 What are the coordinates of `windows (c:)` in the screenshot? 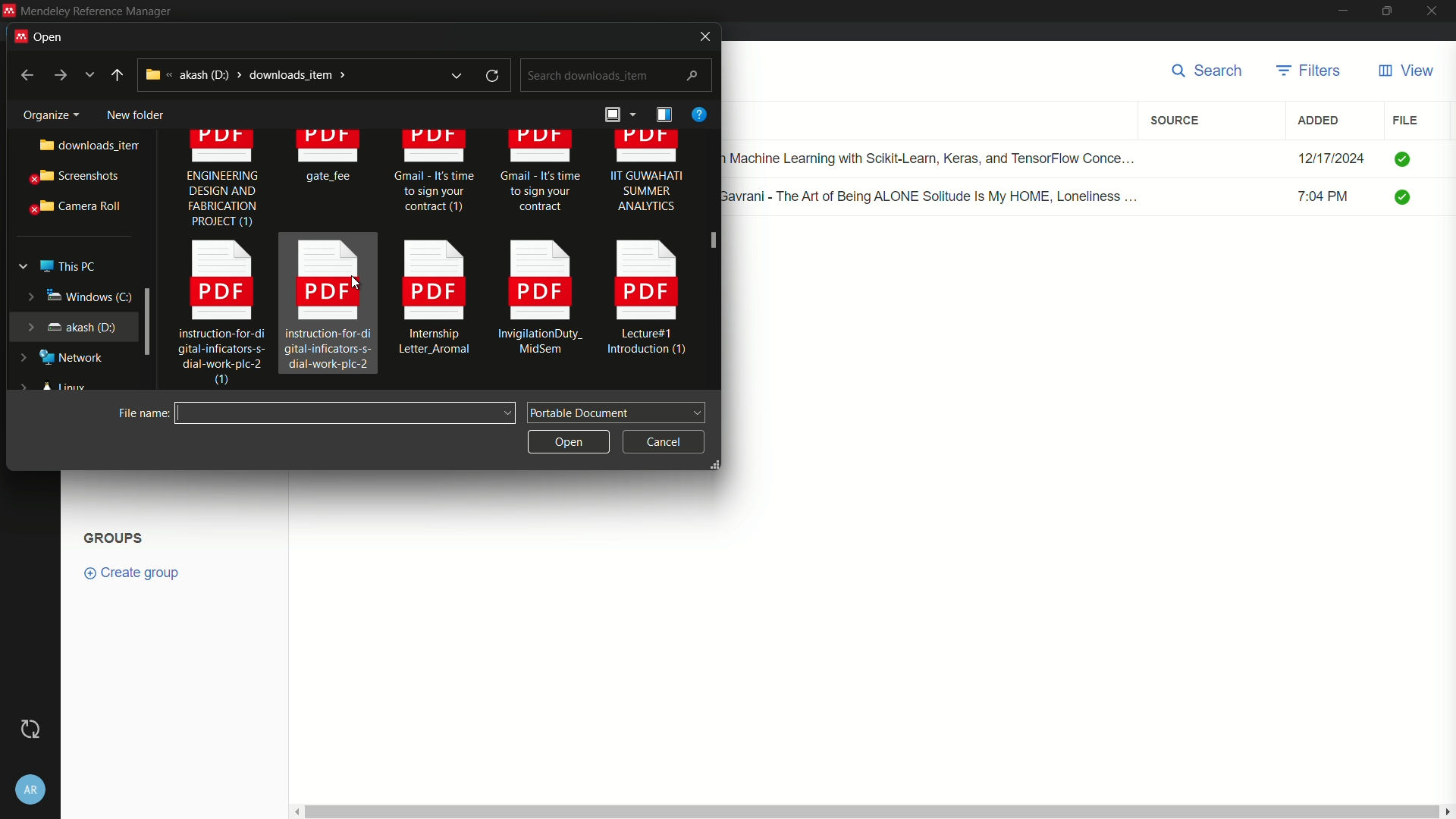 It's located at (68, 296).